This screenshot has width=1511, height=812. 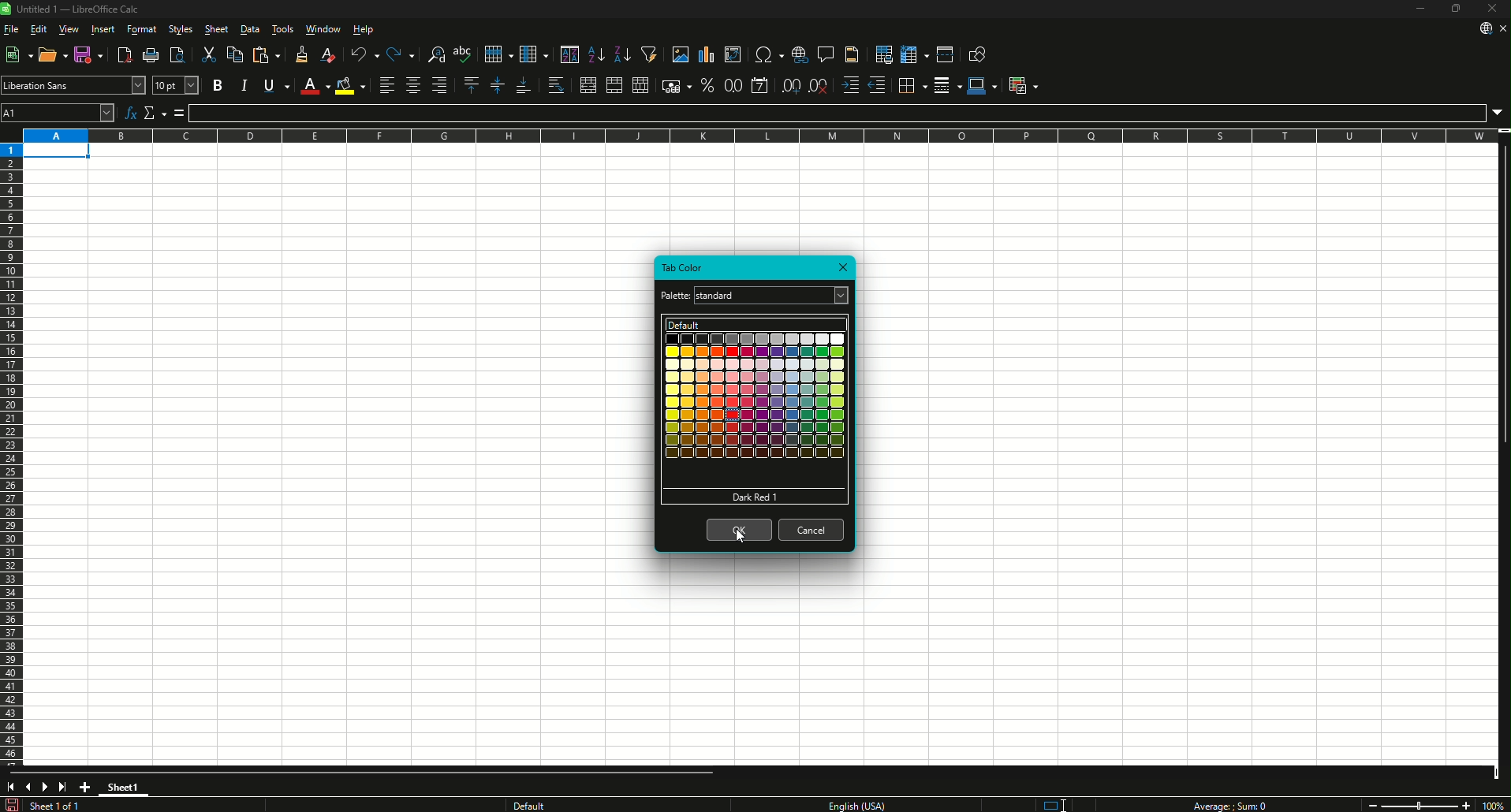 What do you see at coordinates (680, 54) in the screenshot?
I see `Insert Image` at bounding box center [680, 54].